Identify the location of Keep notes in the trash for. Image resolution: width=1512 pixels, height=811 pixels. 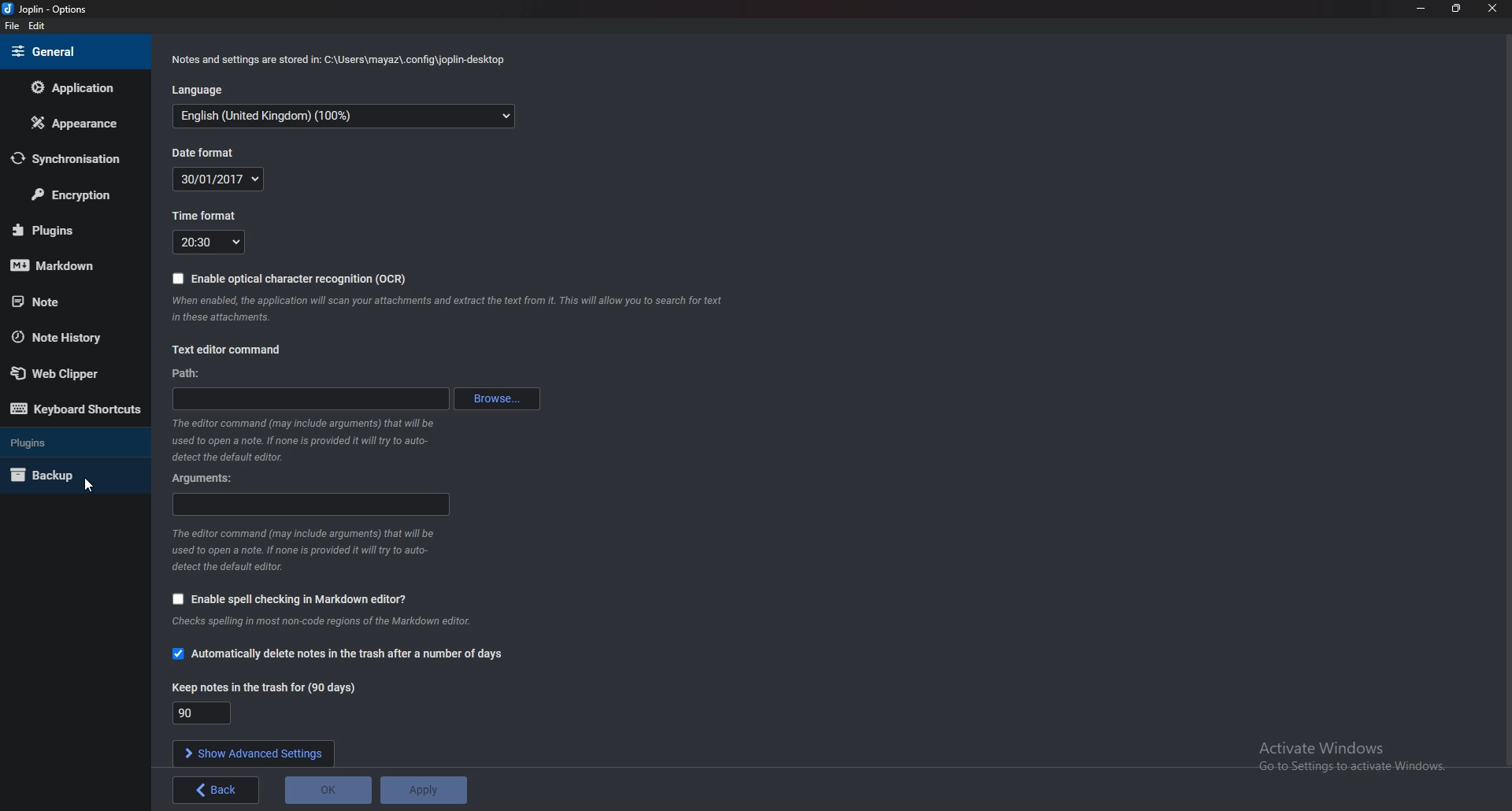
(203, 713).